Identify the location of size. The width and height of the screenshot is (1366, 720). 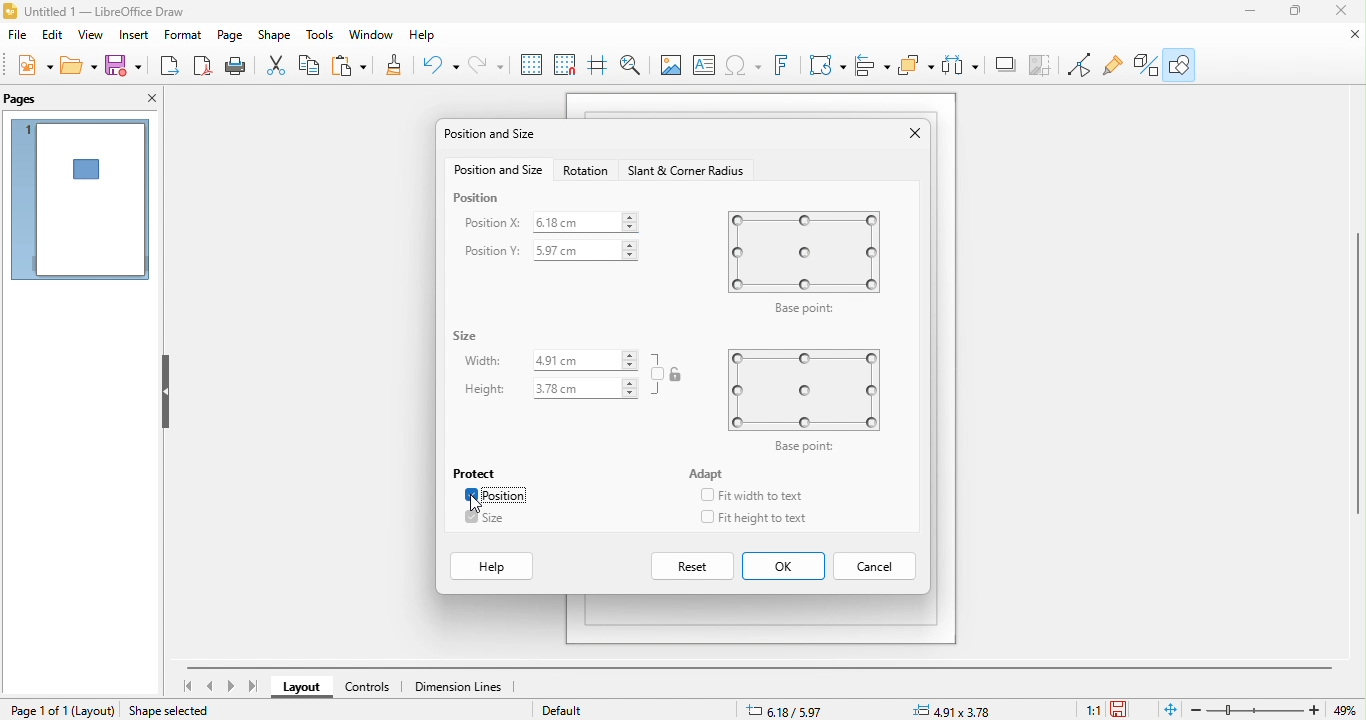
(467, 336).